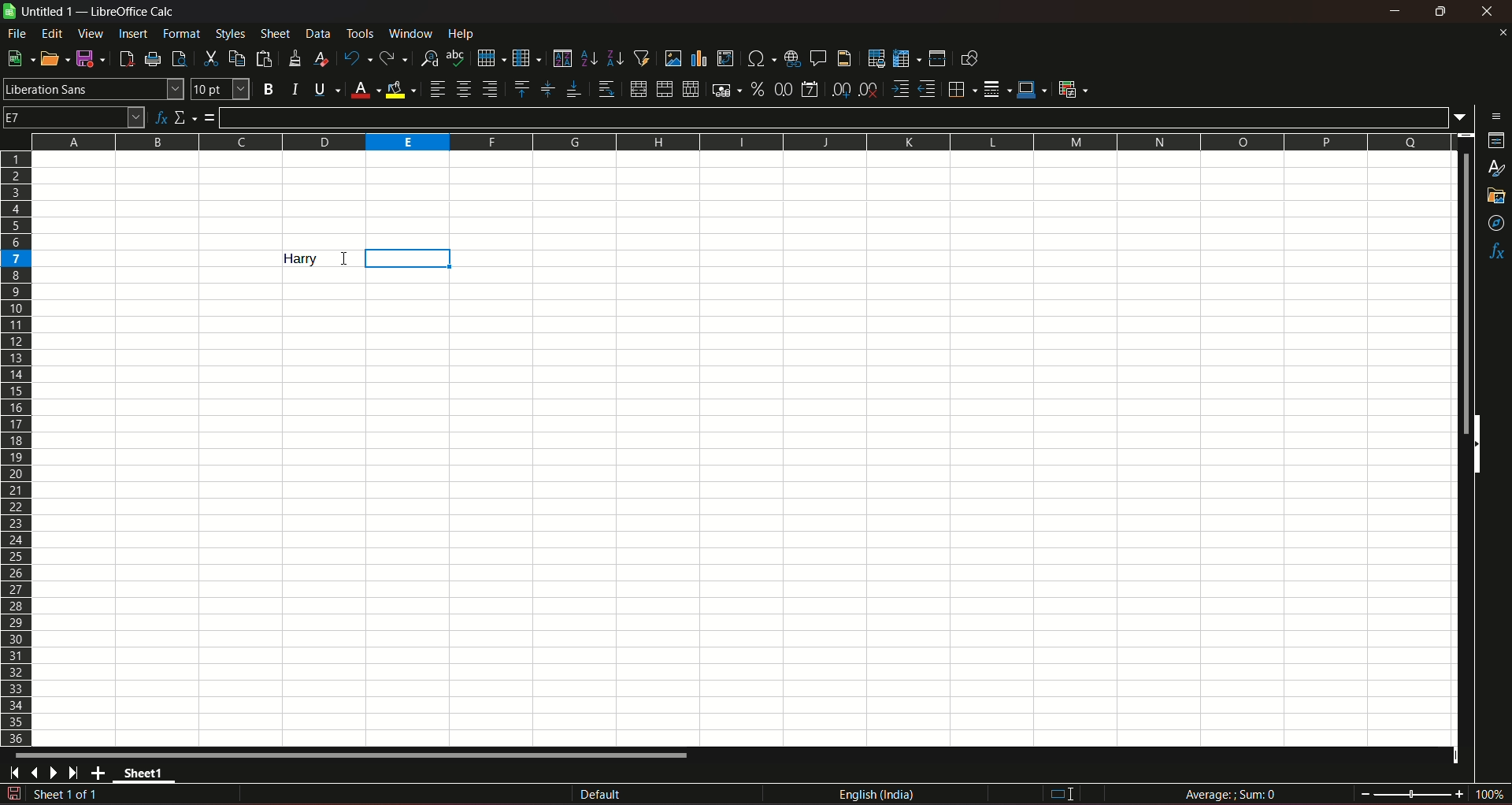  Describe the element at coordinates (67, 796) in the screenshot. I see `sheet sequence` at that location.